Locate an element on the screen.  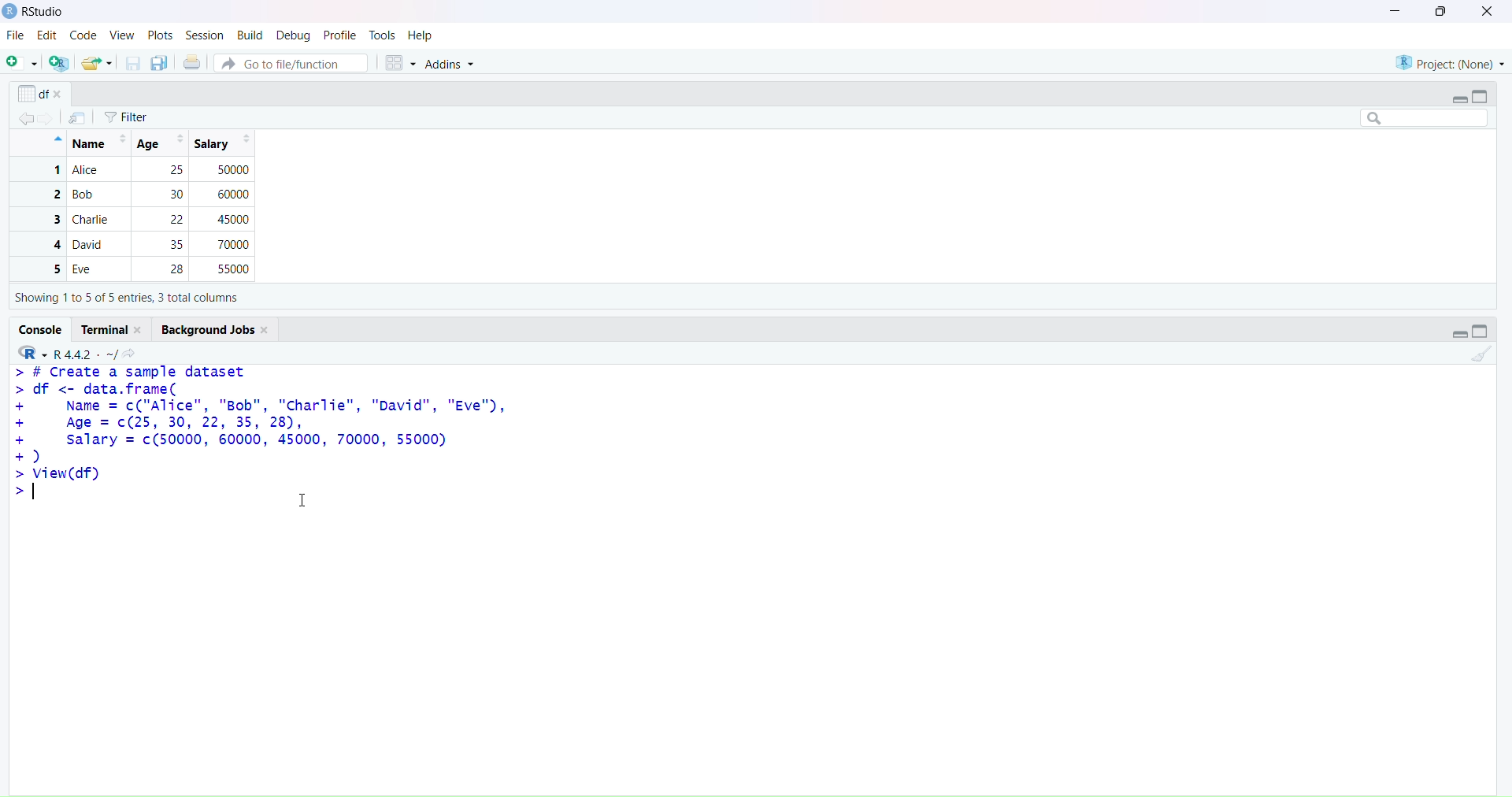
open an existing file is located at coordinates (98, 65).